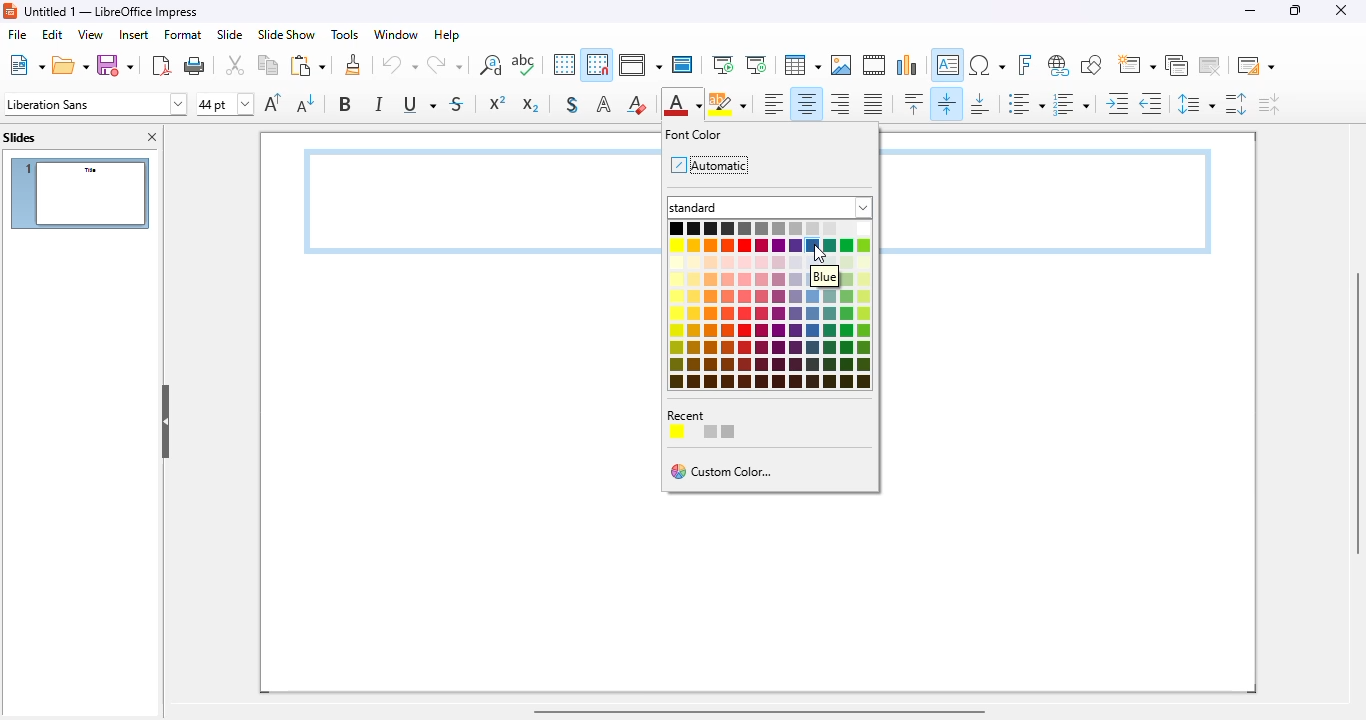 This screenshot has height=720, width=1366. Describe the element at coordinates (694, 134) in the screenshot. I see `font color` at that location.